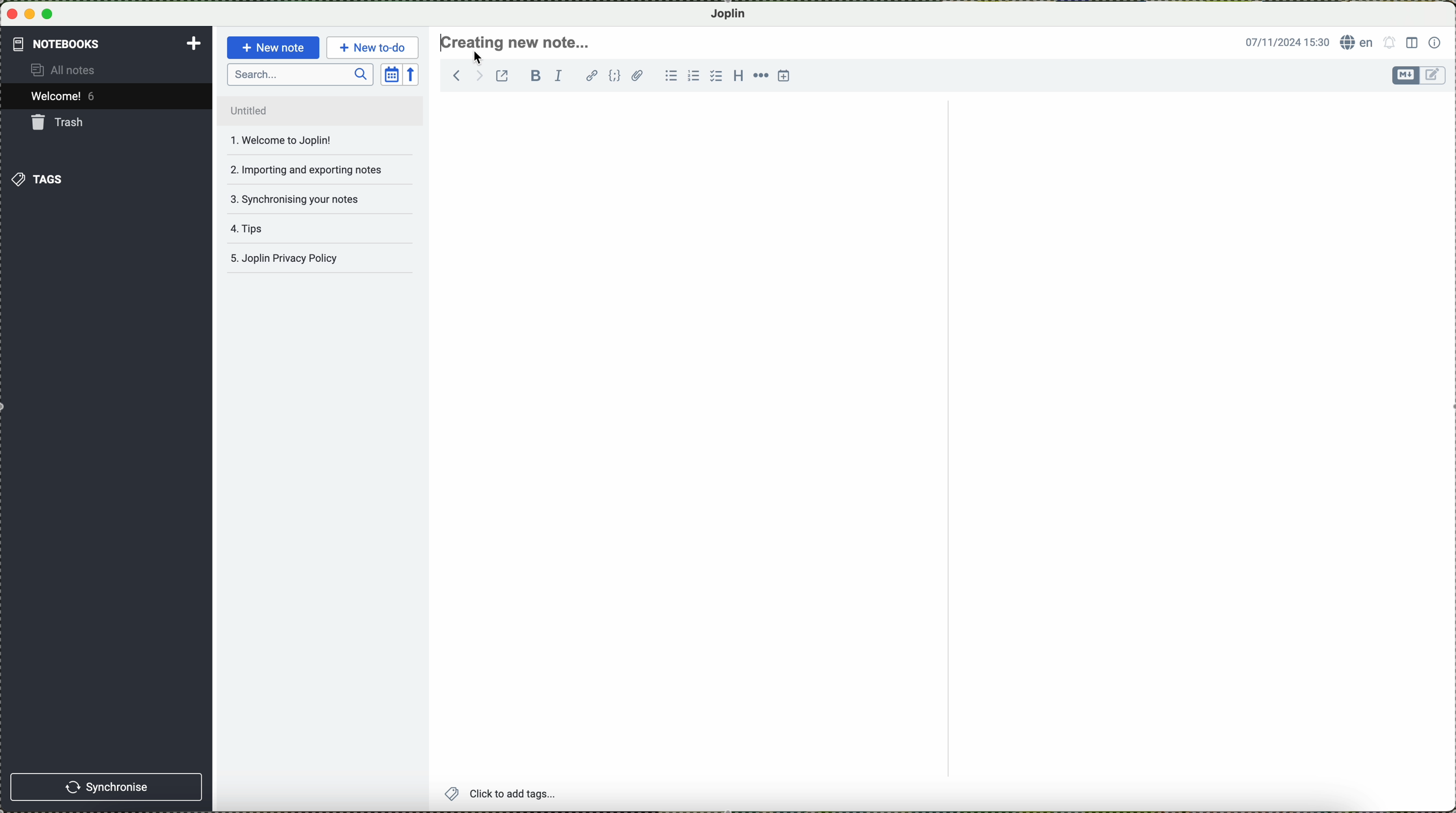 Image resolution: width=1456 pixels, height=813 pixels. Describe the element at coordinates (785, 77) in the screenshot. I see `insert time` at that location.